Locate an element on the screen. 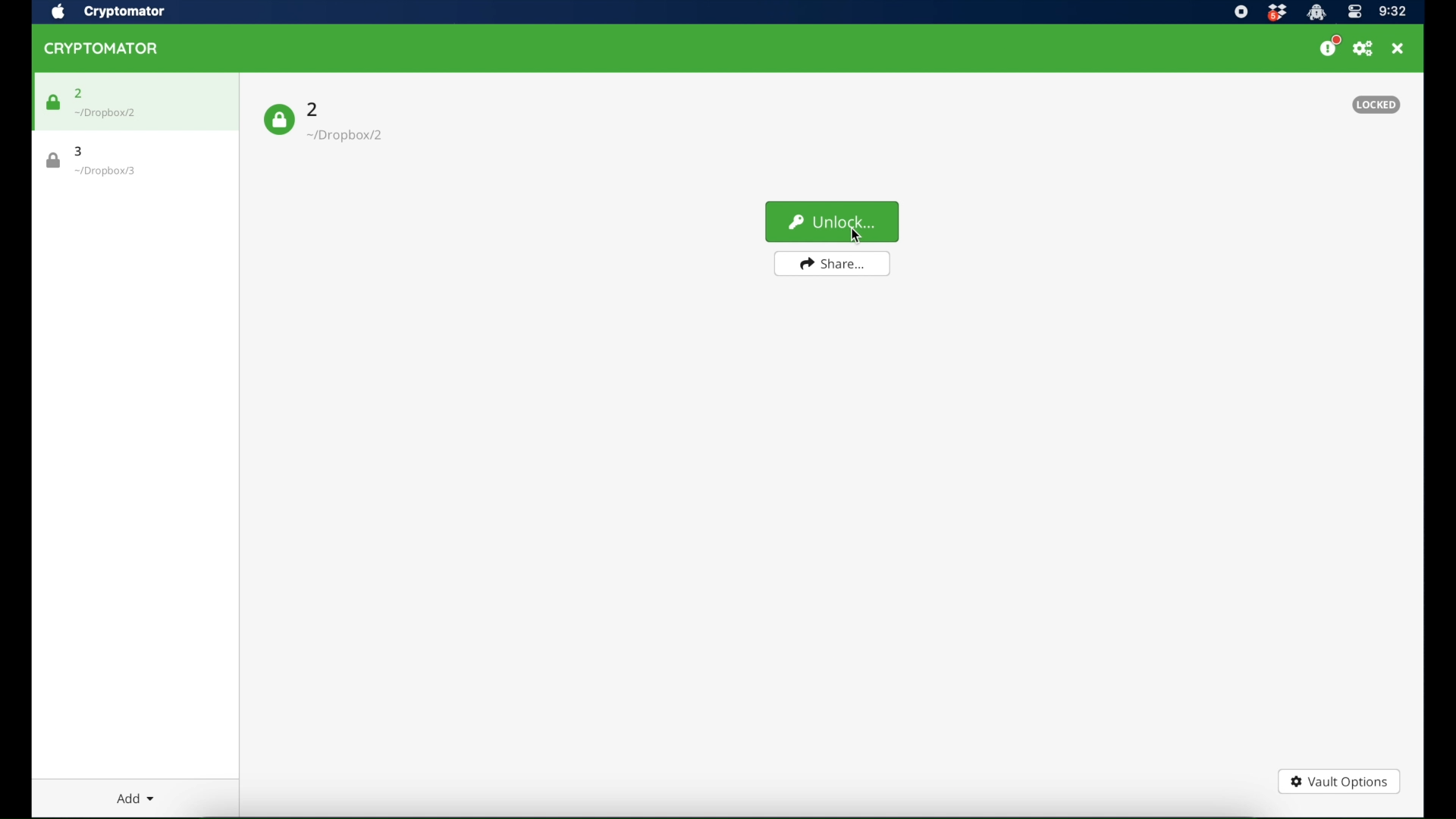  3 is located at coordinates (77, 151).